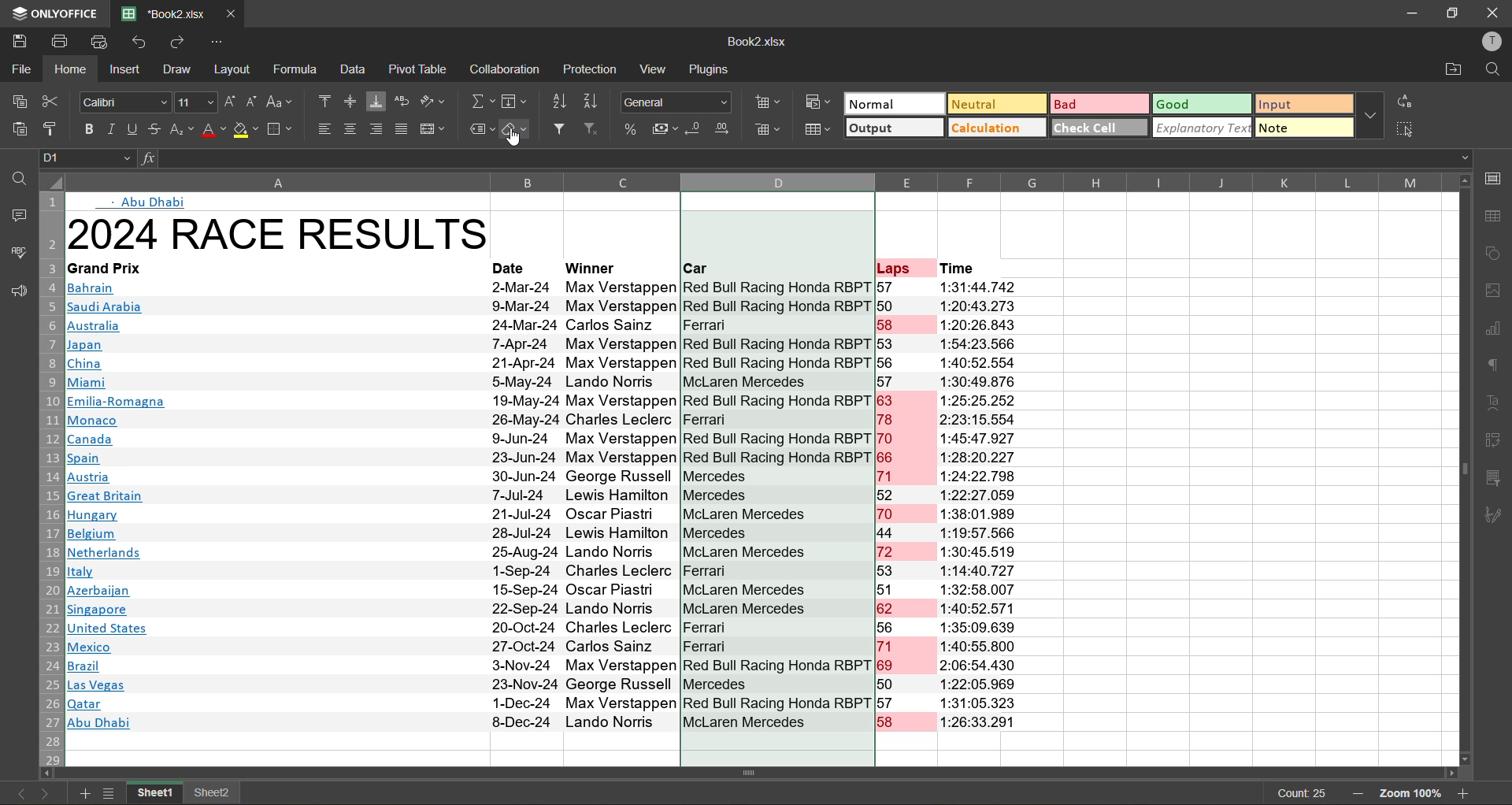  Describe the element at coordinates (776, 208) in the screenshot. I see `selected column` at that location.